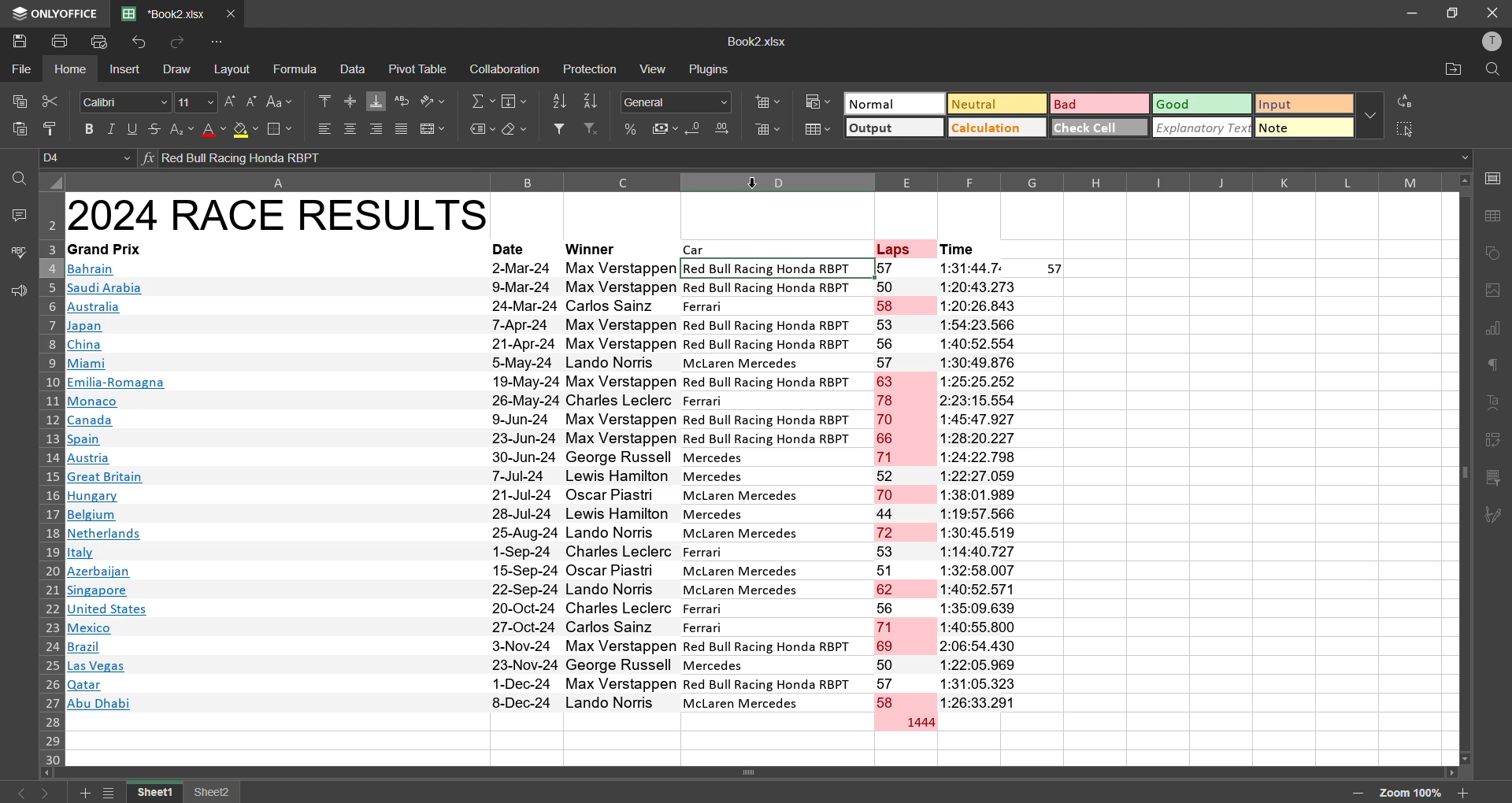  I want to click on justified, so click(402, 131).